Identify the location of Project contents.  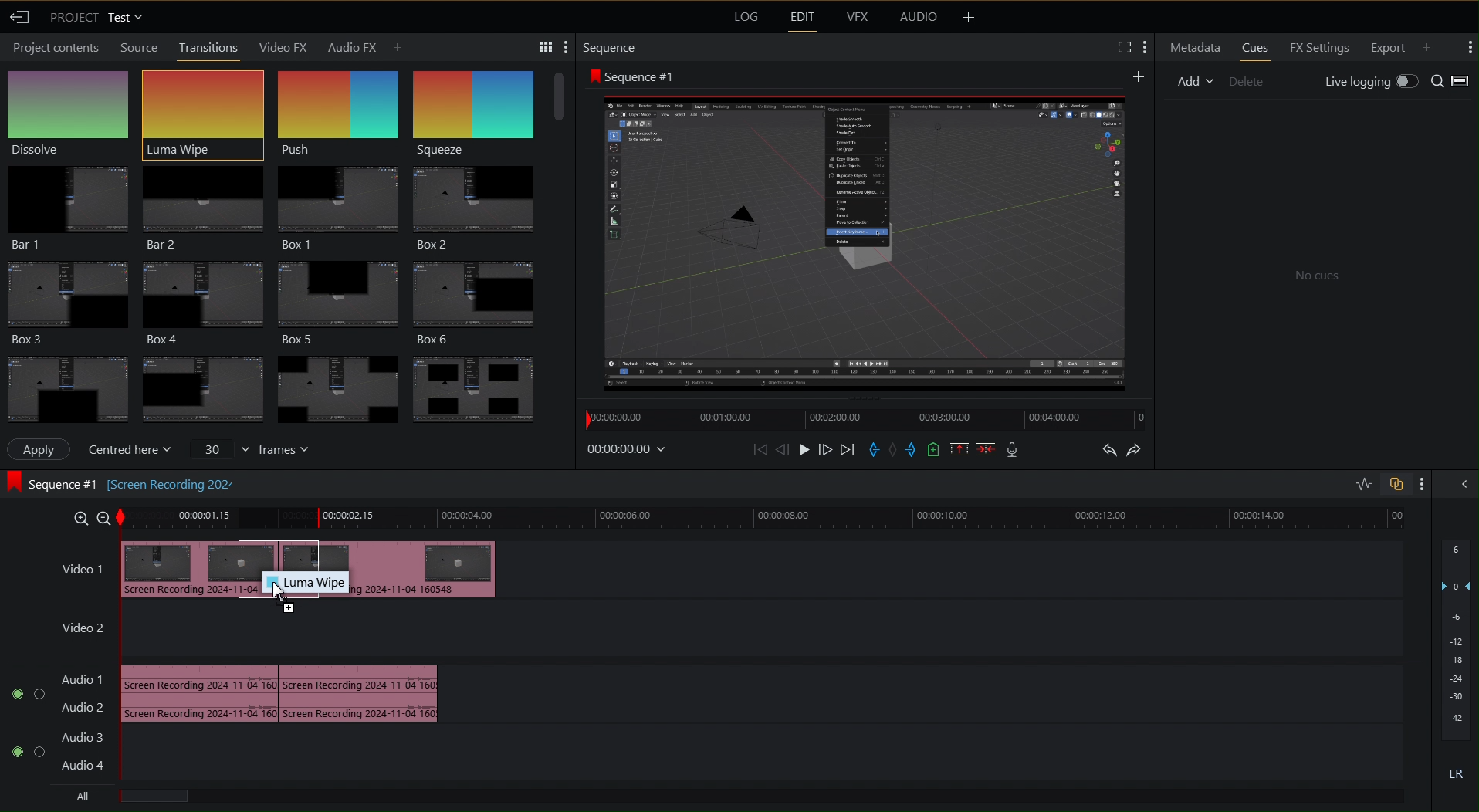
(53, 49).